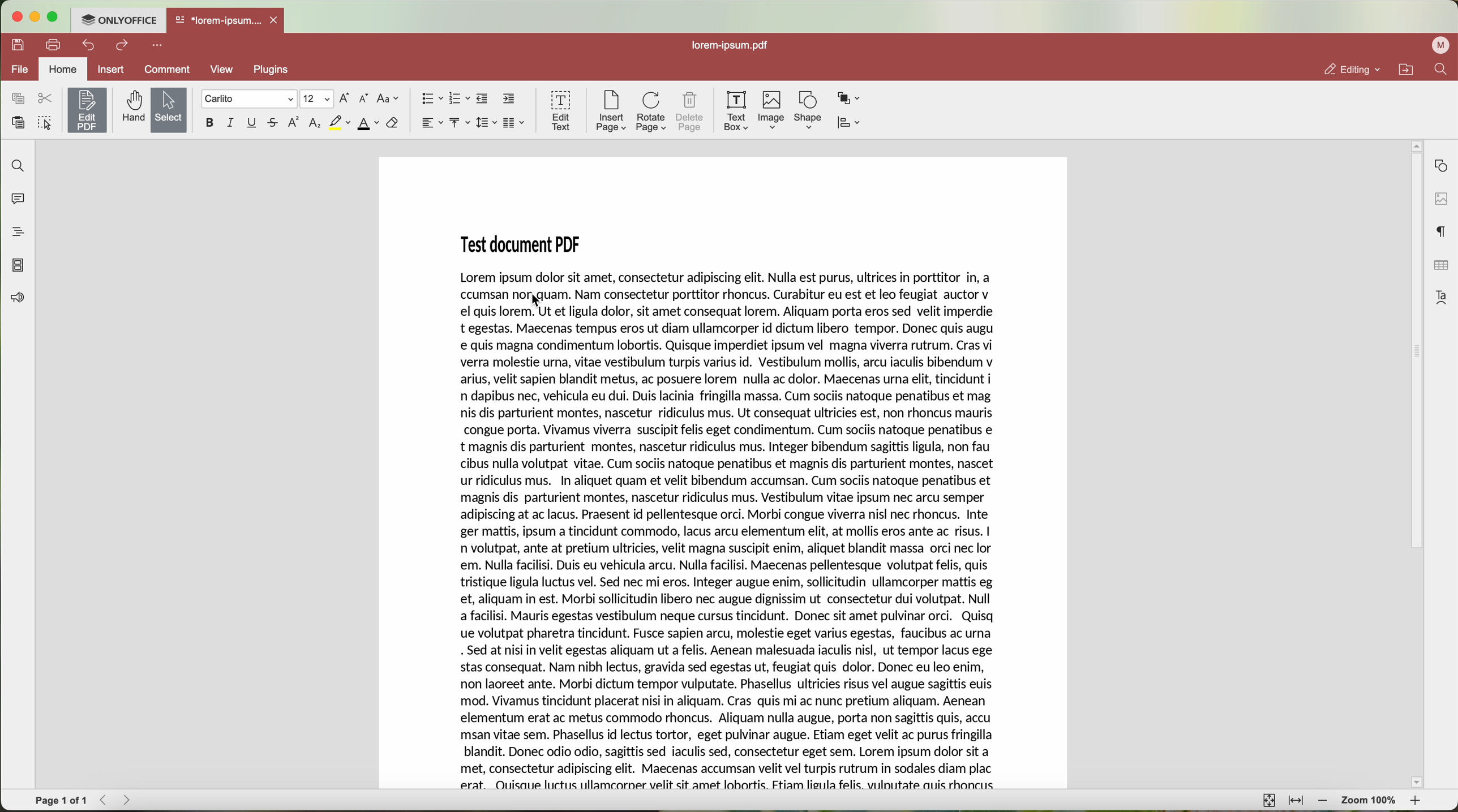 The width and height of the screenshot is (1458, 812). What do you see at coordinates (482, 98) in the screenshot?
I see `decrease indent` at bounding box center [482, 98].